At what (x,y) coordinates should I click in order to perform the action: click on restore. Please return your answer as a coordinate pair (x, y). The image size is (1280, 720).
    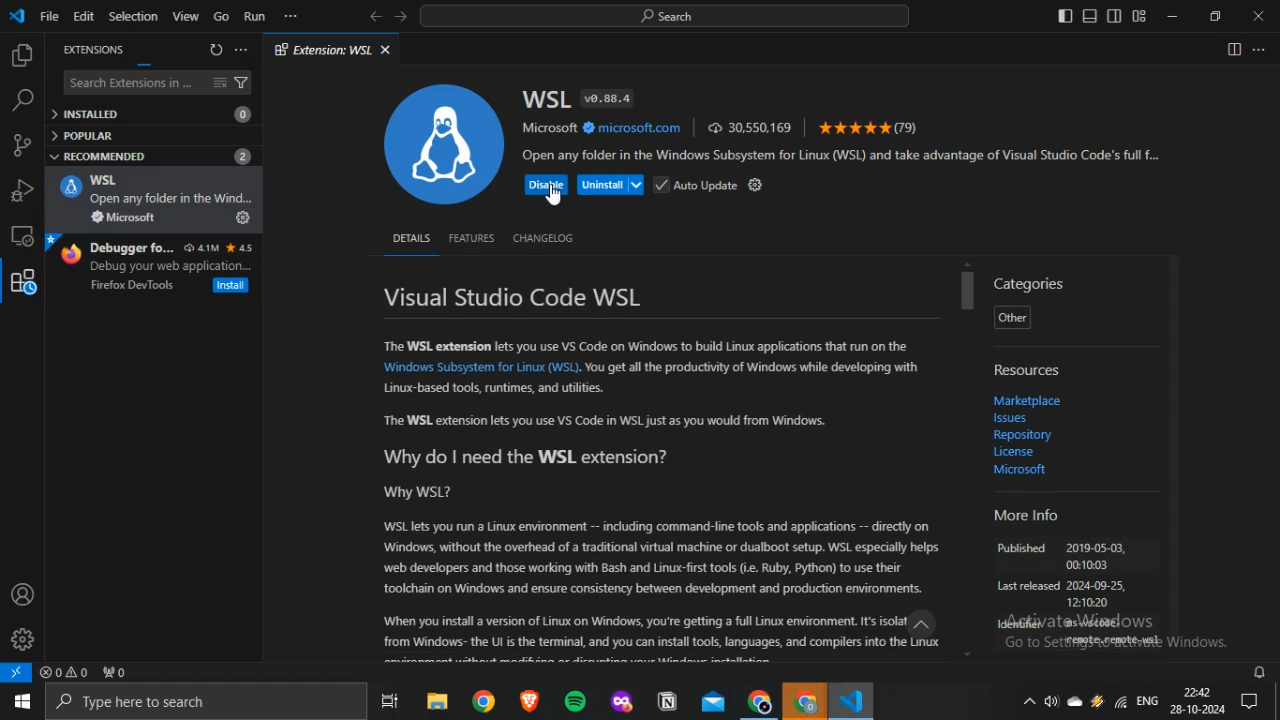
    Looking at the image, I should click on (1215, 15).